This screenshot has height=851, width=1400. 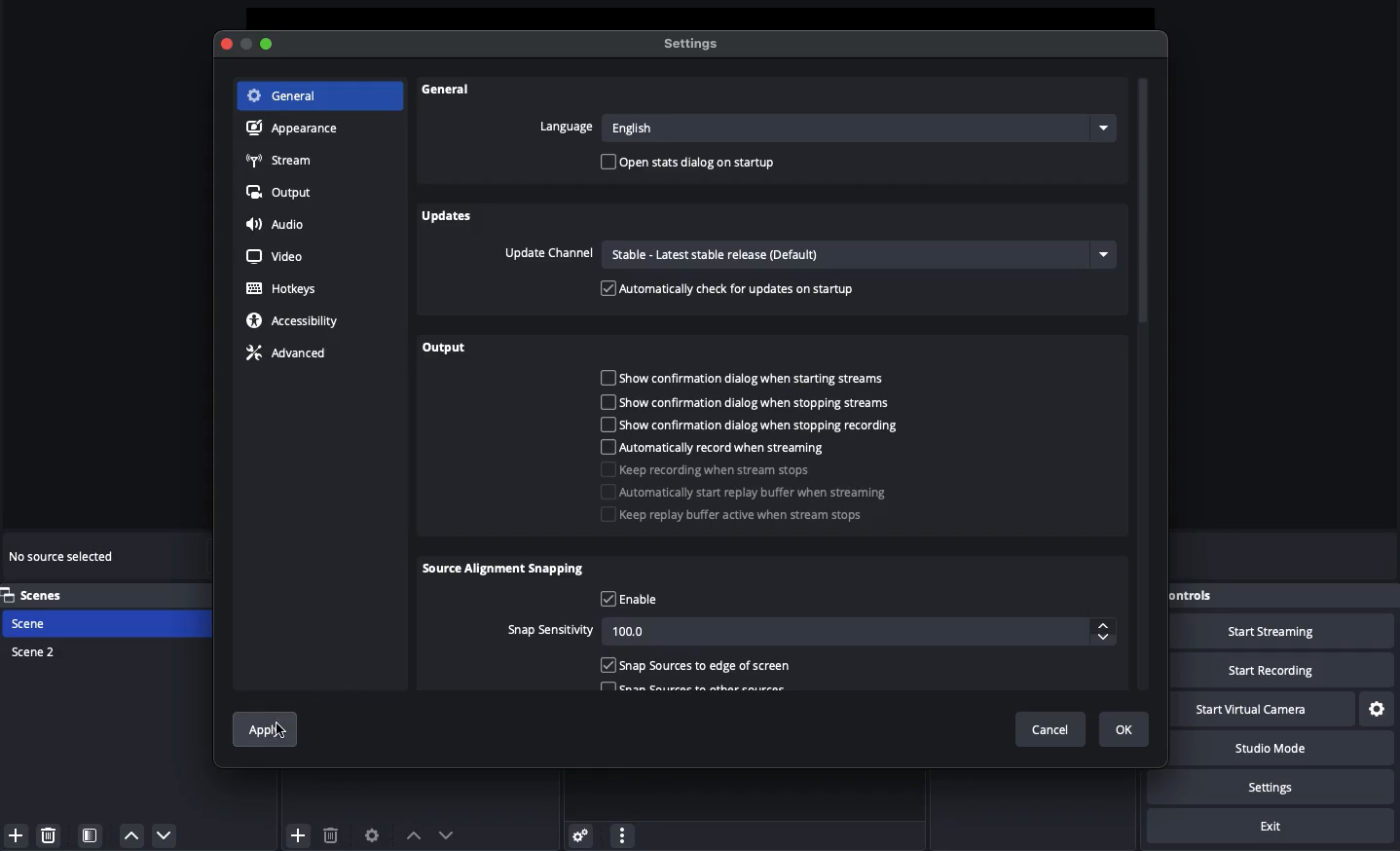 I want to click on Start virtual camera, so click(x=1269, y=708).